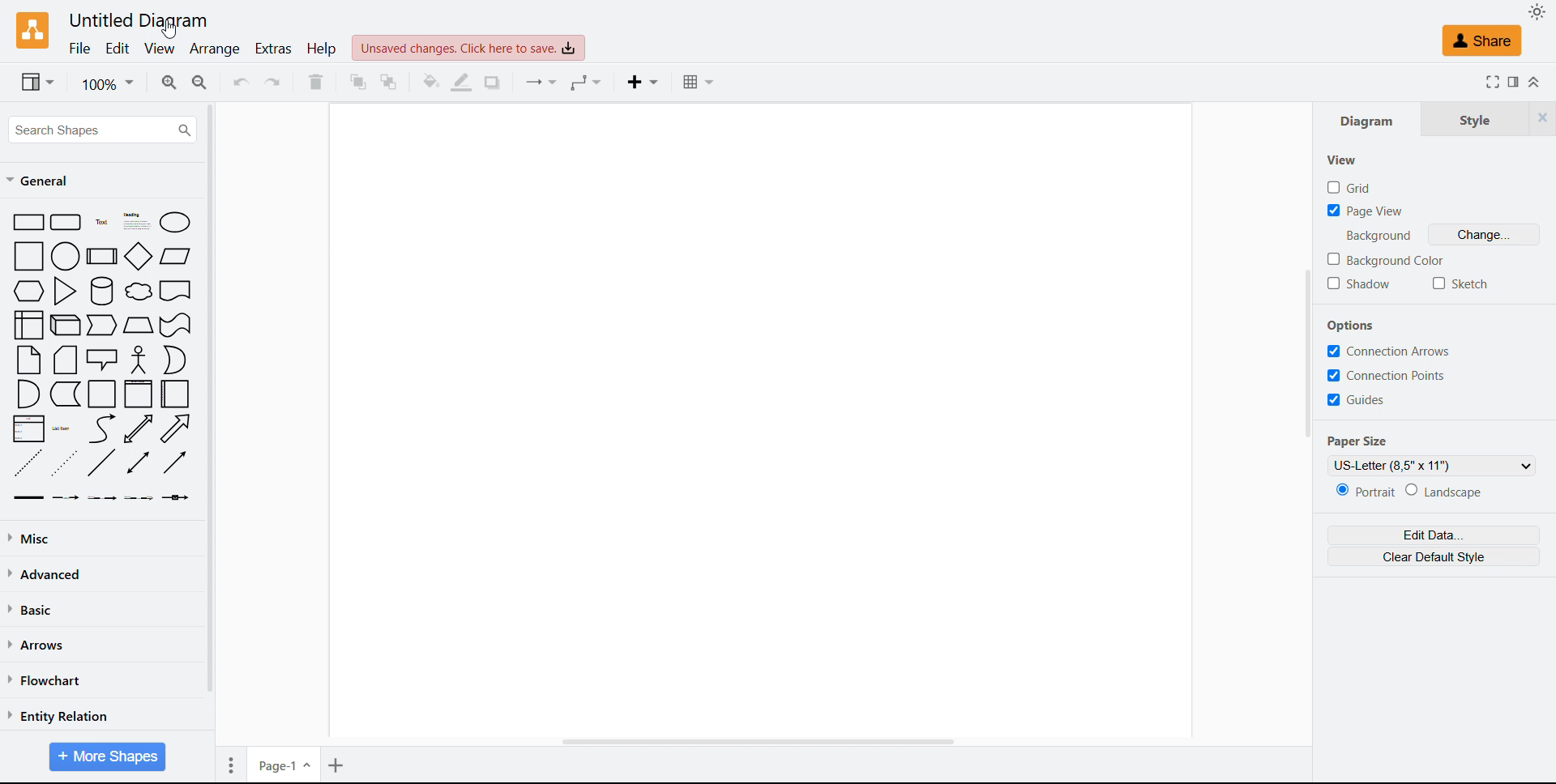 The image size is (1556, 784). What do you see at coordinates (1360, 284) in the screenshot?
I see `Shadow ` at bounding box center [1360, 284].